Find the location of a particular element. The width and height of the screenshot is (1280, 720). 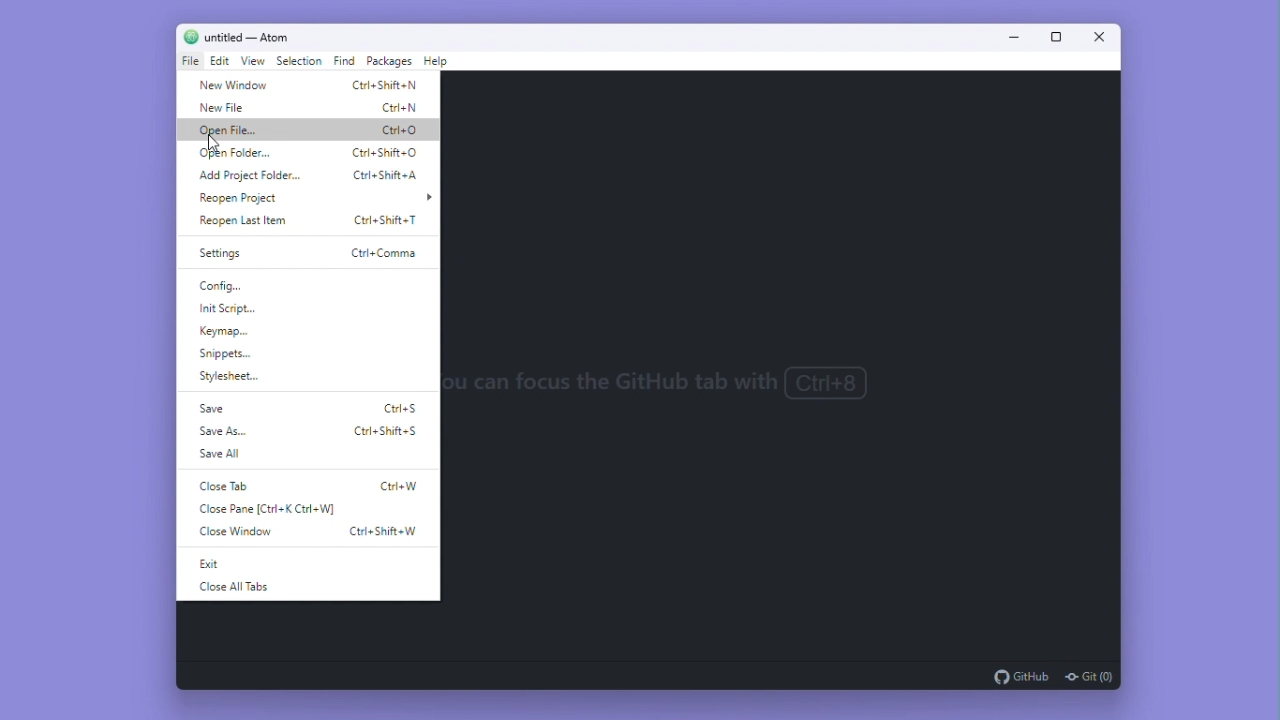

Close window ctrl+shift+w is located at coordinates (312, 531).